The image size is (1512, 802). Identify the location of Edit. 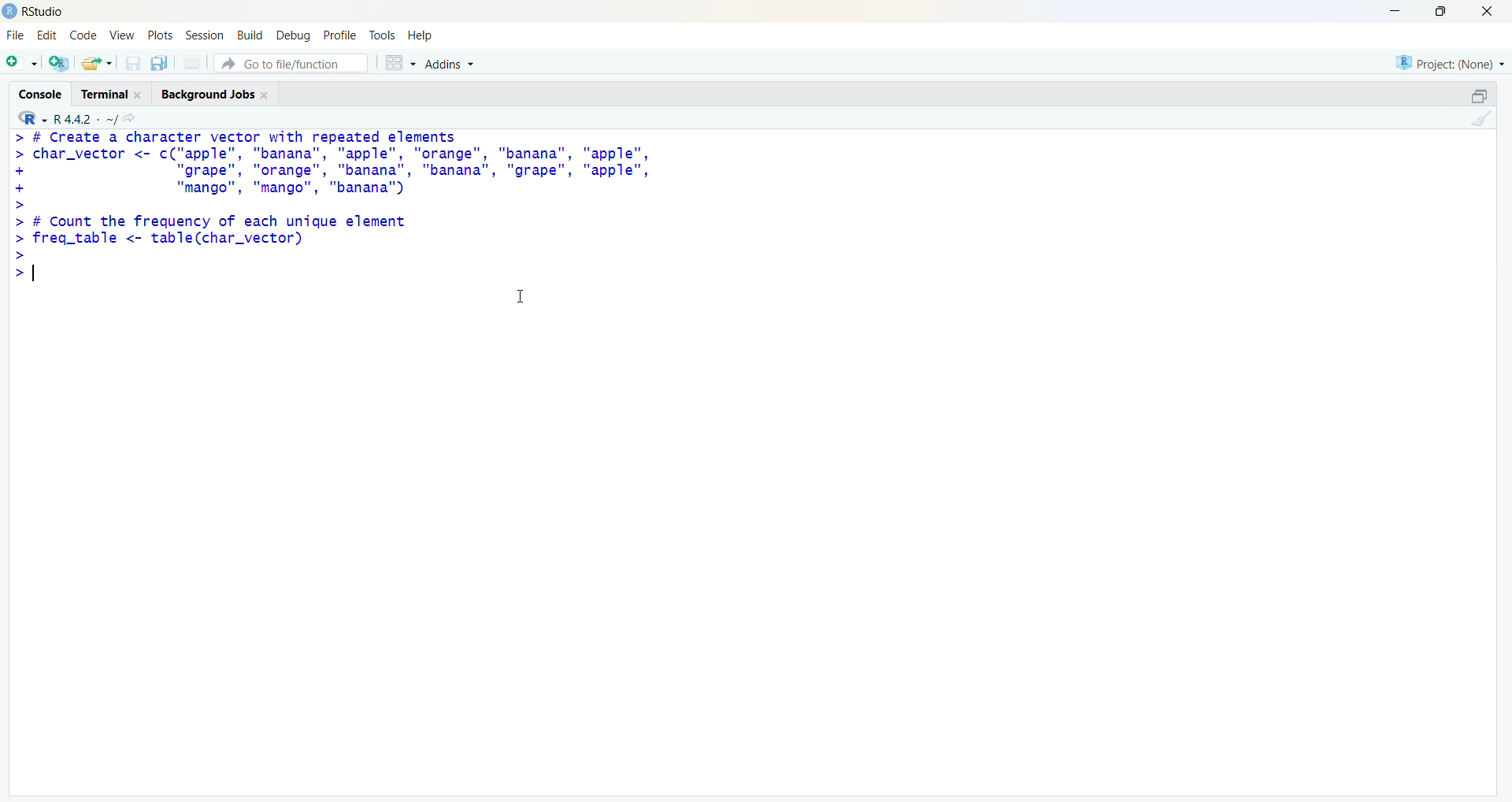
(46, 35).